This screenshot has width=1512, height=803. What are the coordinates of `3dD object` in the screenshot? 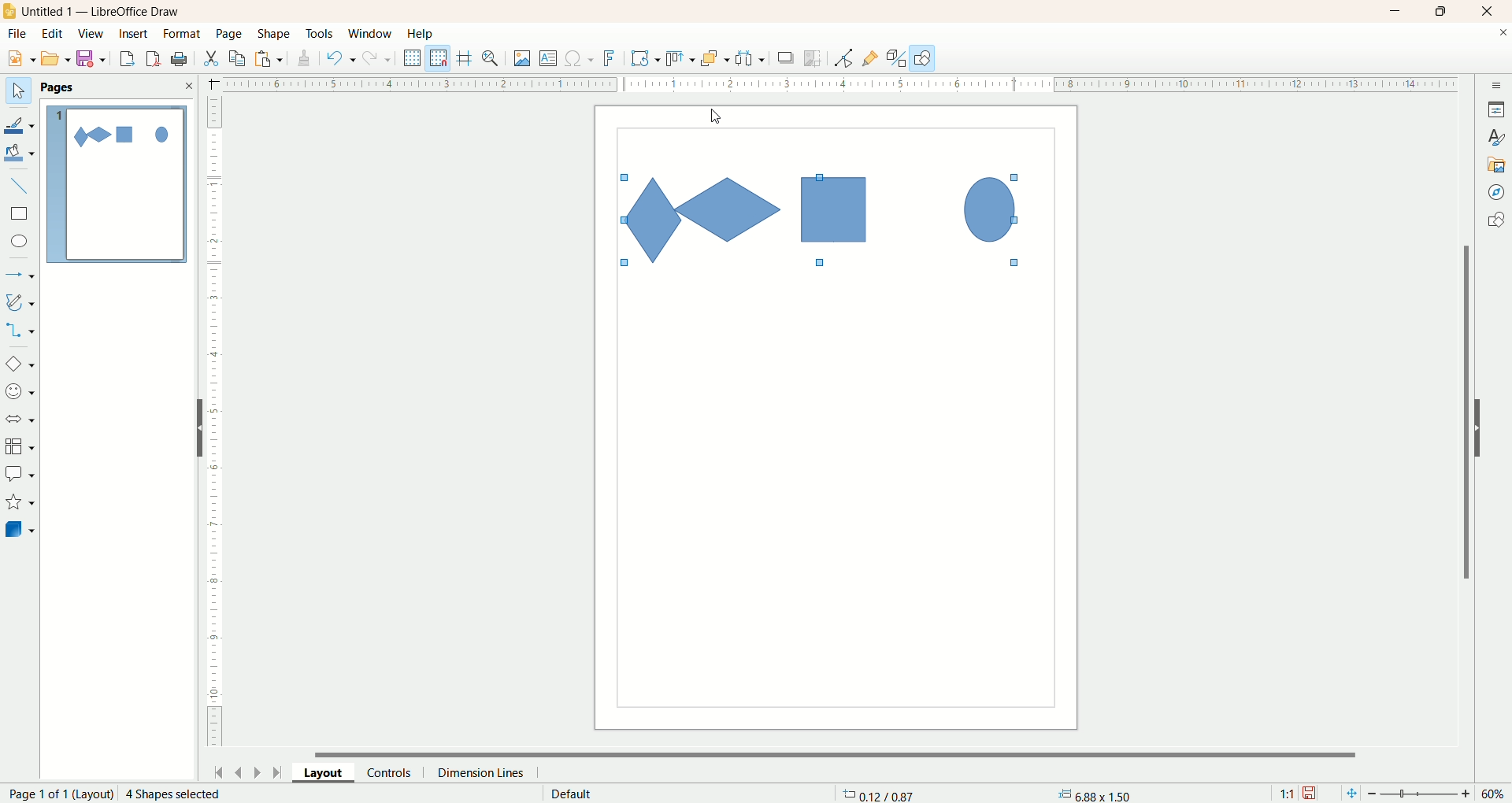 It's located at (19, 529).